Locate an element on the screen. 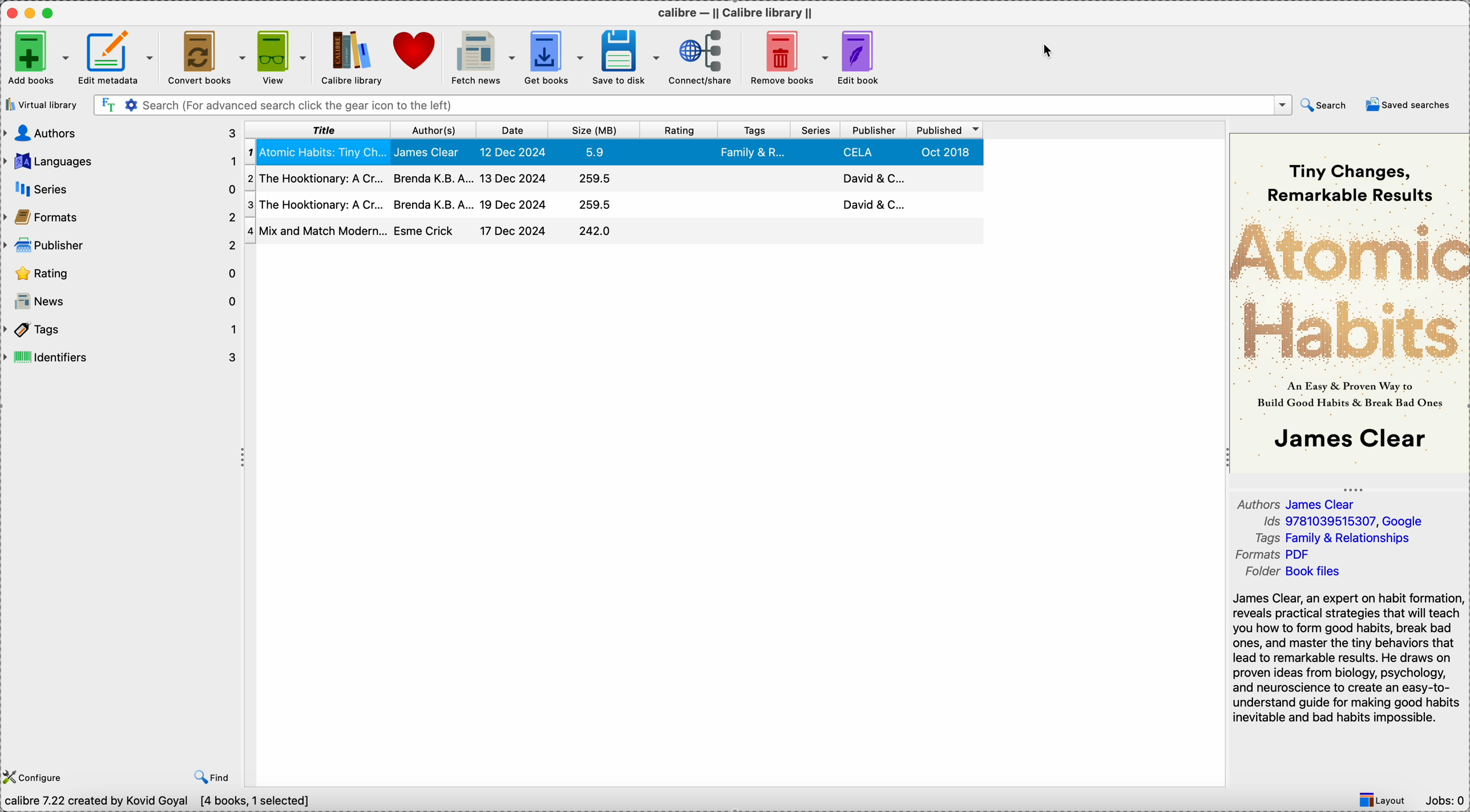  options is located at coordinates (1282, 106).